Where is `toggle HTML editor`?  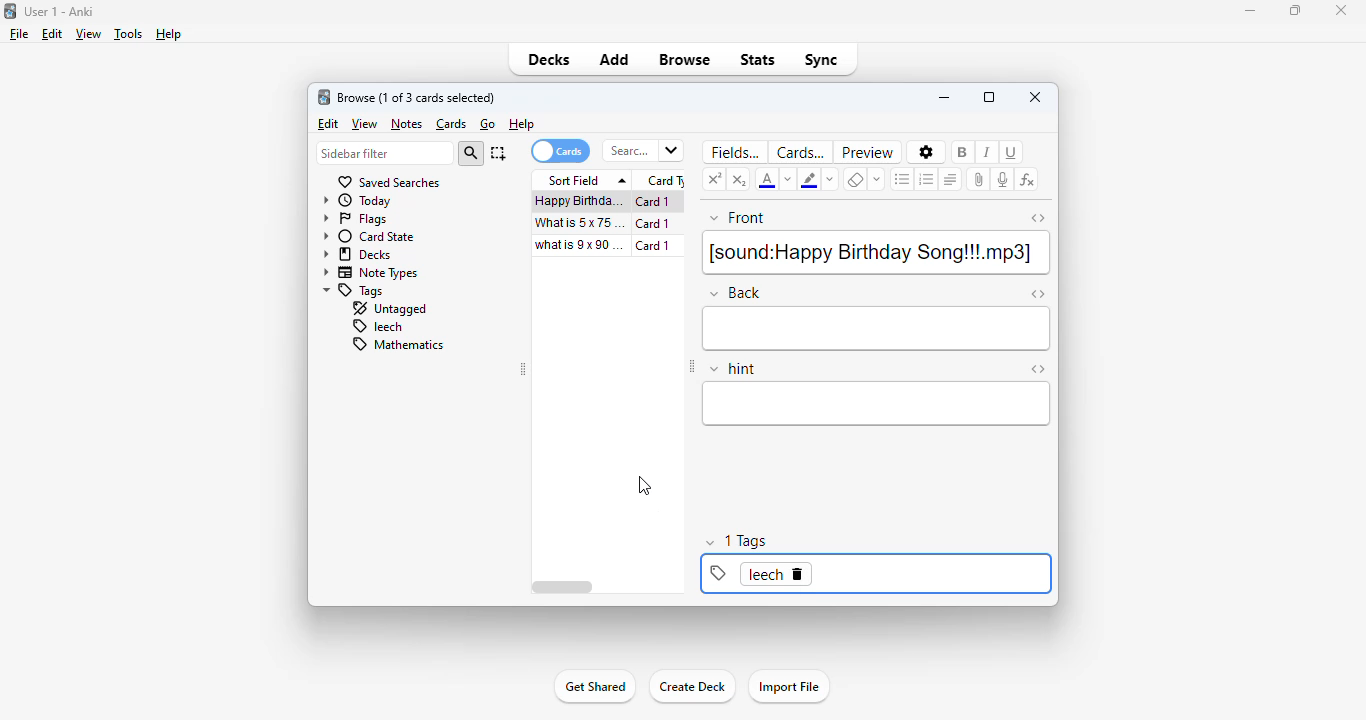 toggle HTML editor is located at coordinates (1037, 218).